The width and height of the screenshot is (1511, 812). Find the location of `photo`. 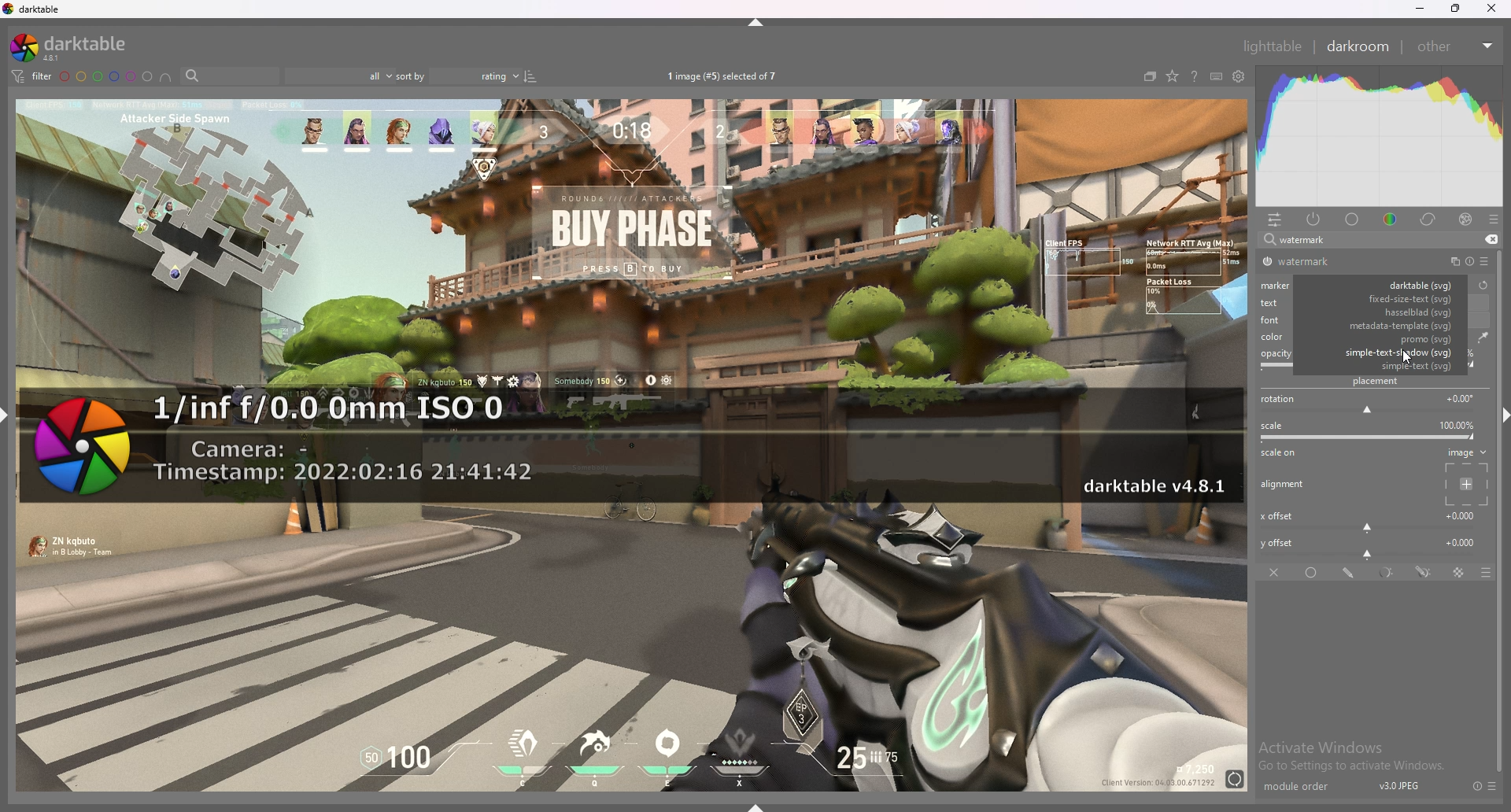

photo is located at coordinates (630, 661).